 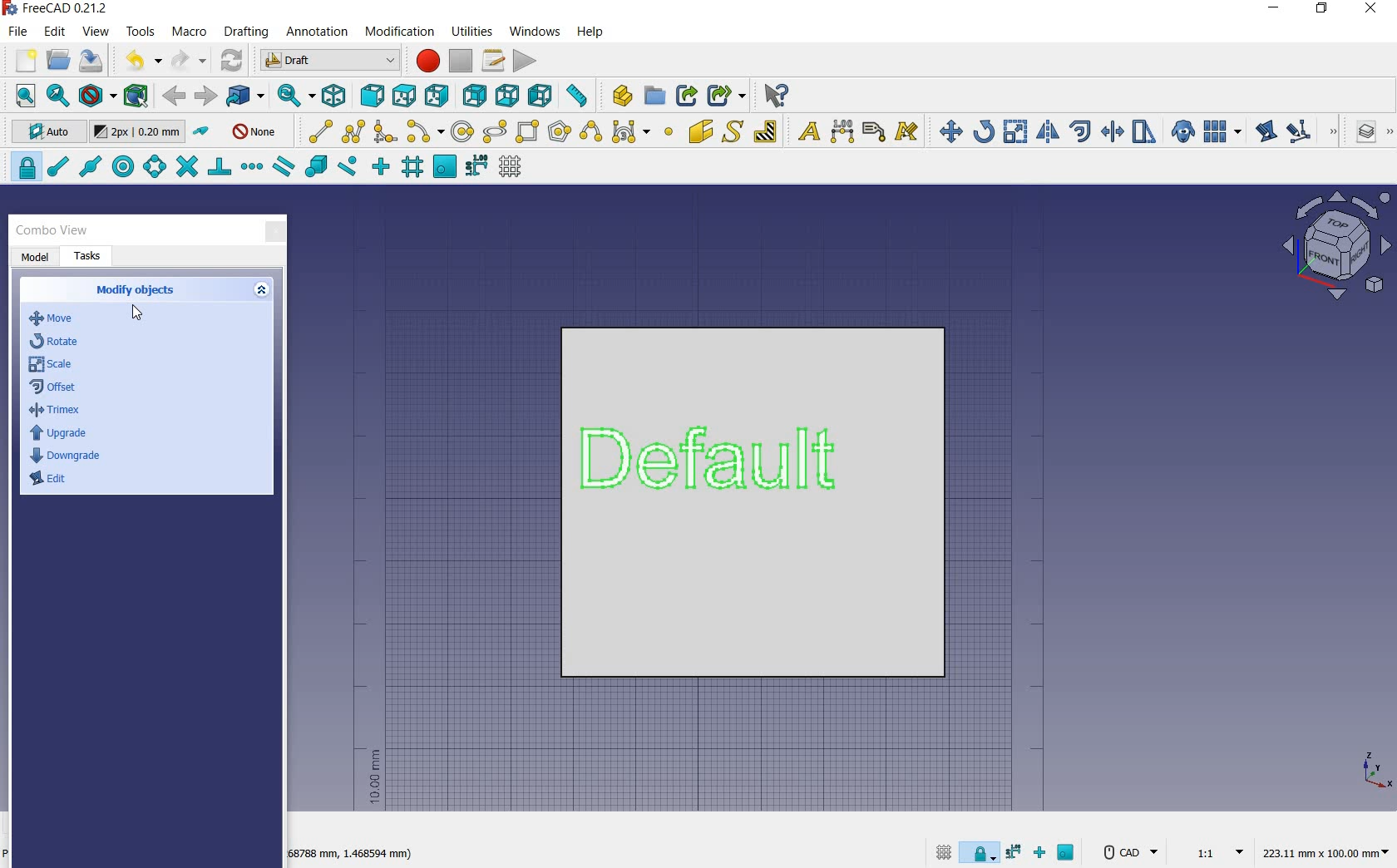 I want to click on none, so click(x=256, y=131).